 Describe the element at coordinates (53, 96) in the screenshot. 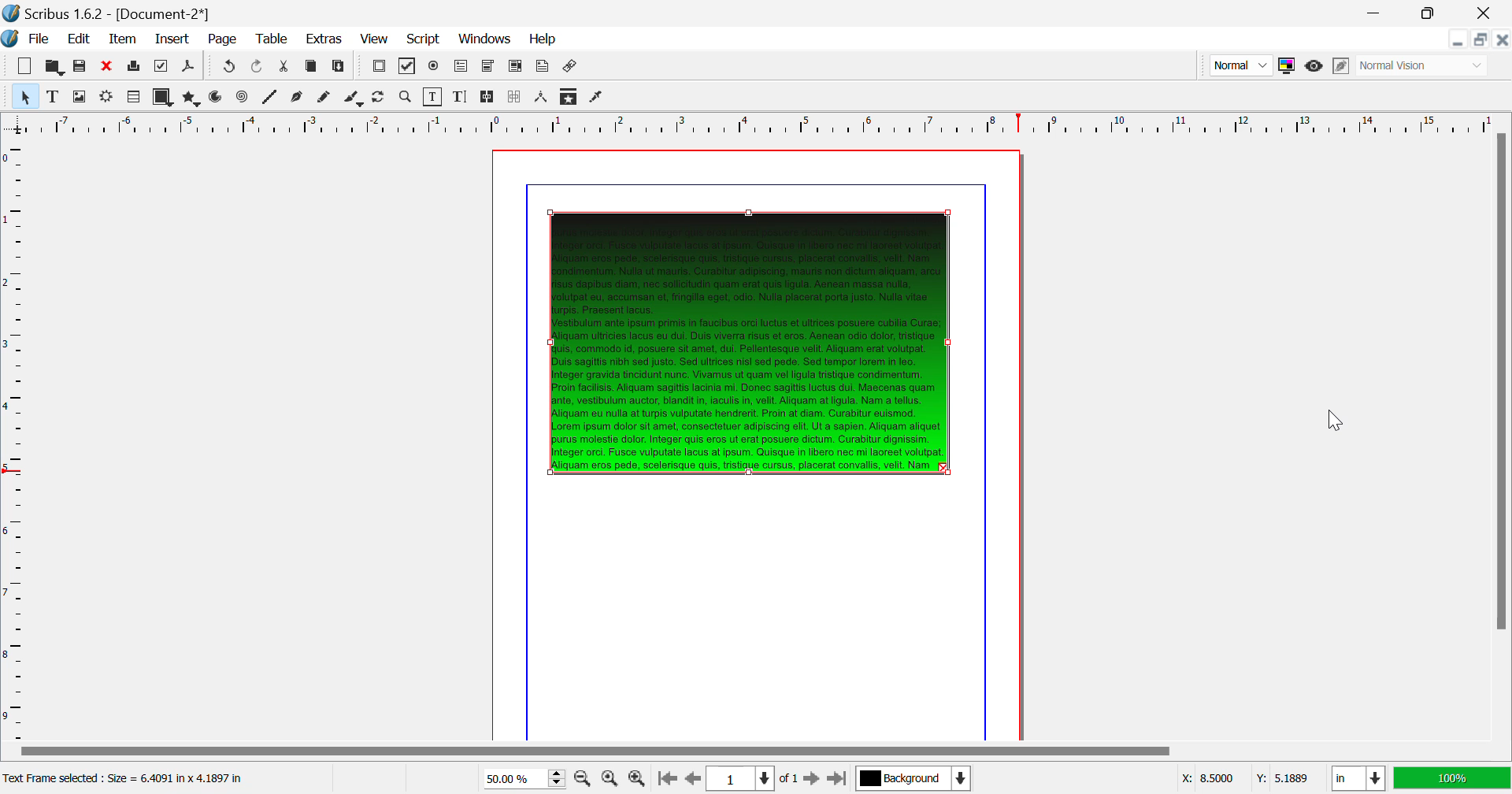

I see `Text Frame` at that location.